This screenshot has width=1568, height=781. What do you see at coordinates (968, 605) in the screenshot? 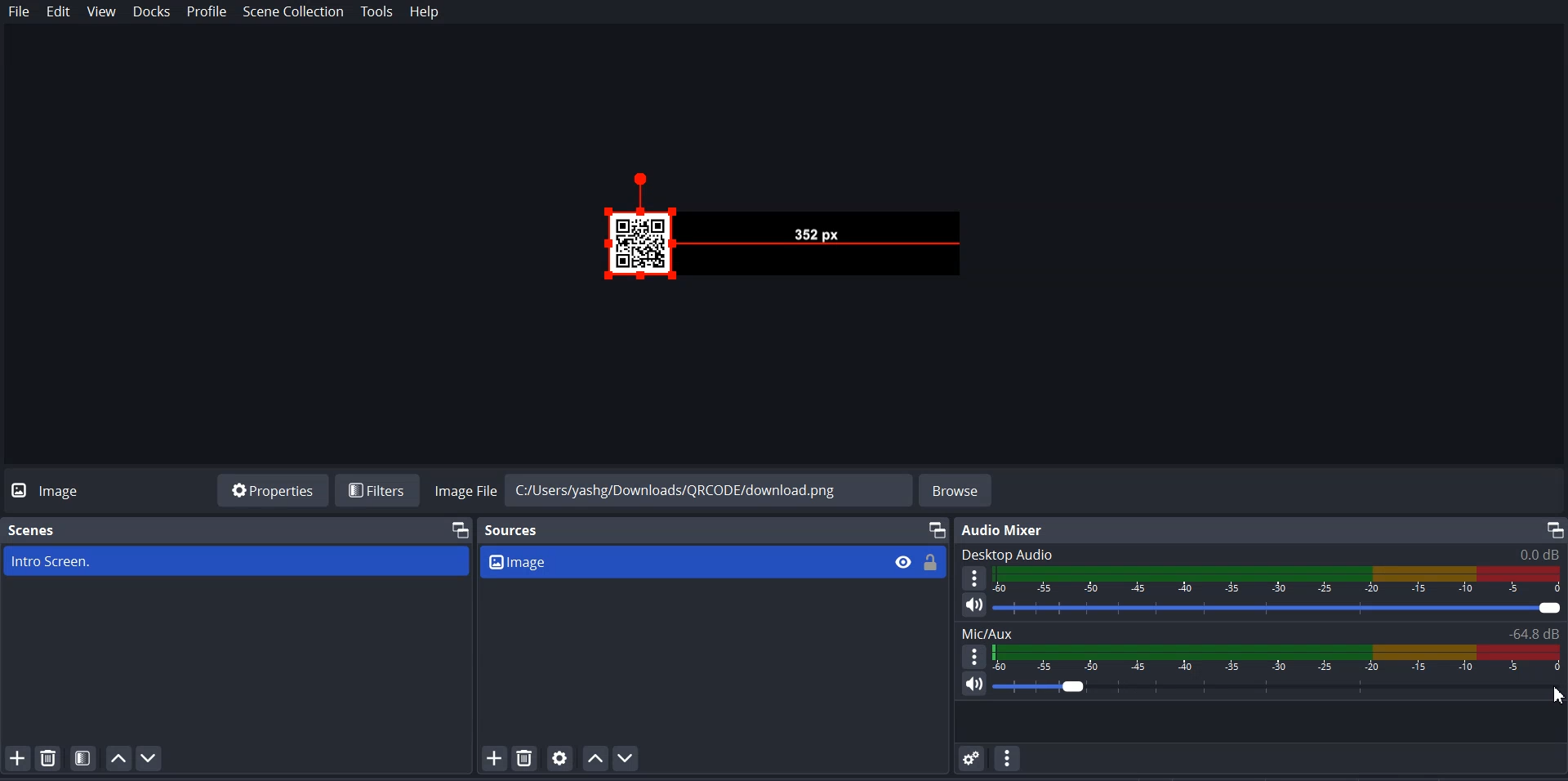
I see `Volume` at bounding box center [968, 605].